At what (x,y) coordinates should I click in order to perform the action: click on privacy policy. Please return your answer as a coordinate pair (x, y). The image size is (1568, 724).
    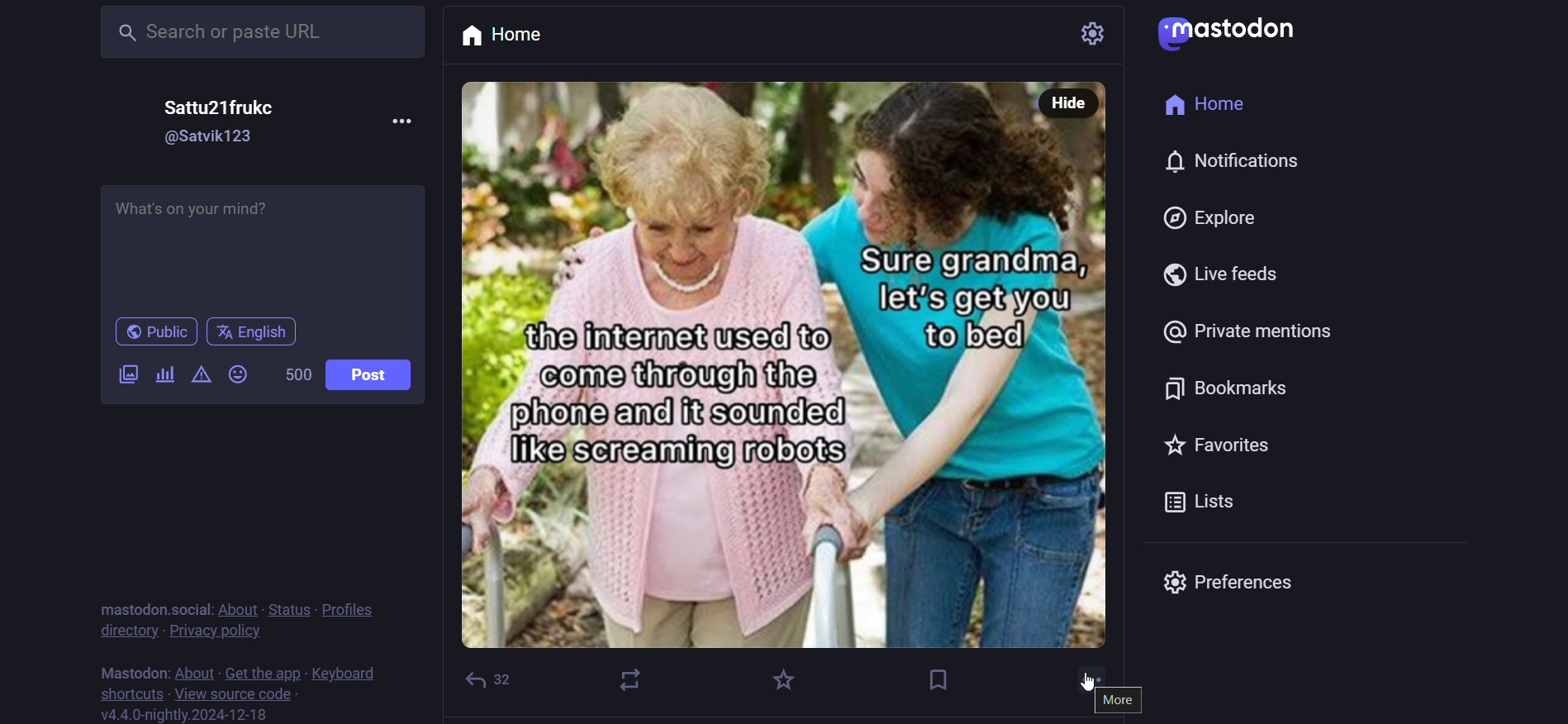
    Looking at the image, I should click on (216, 631).